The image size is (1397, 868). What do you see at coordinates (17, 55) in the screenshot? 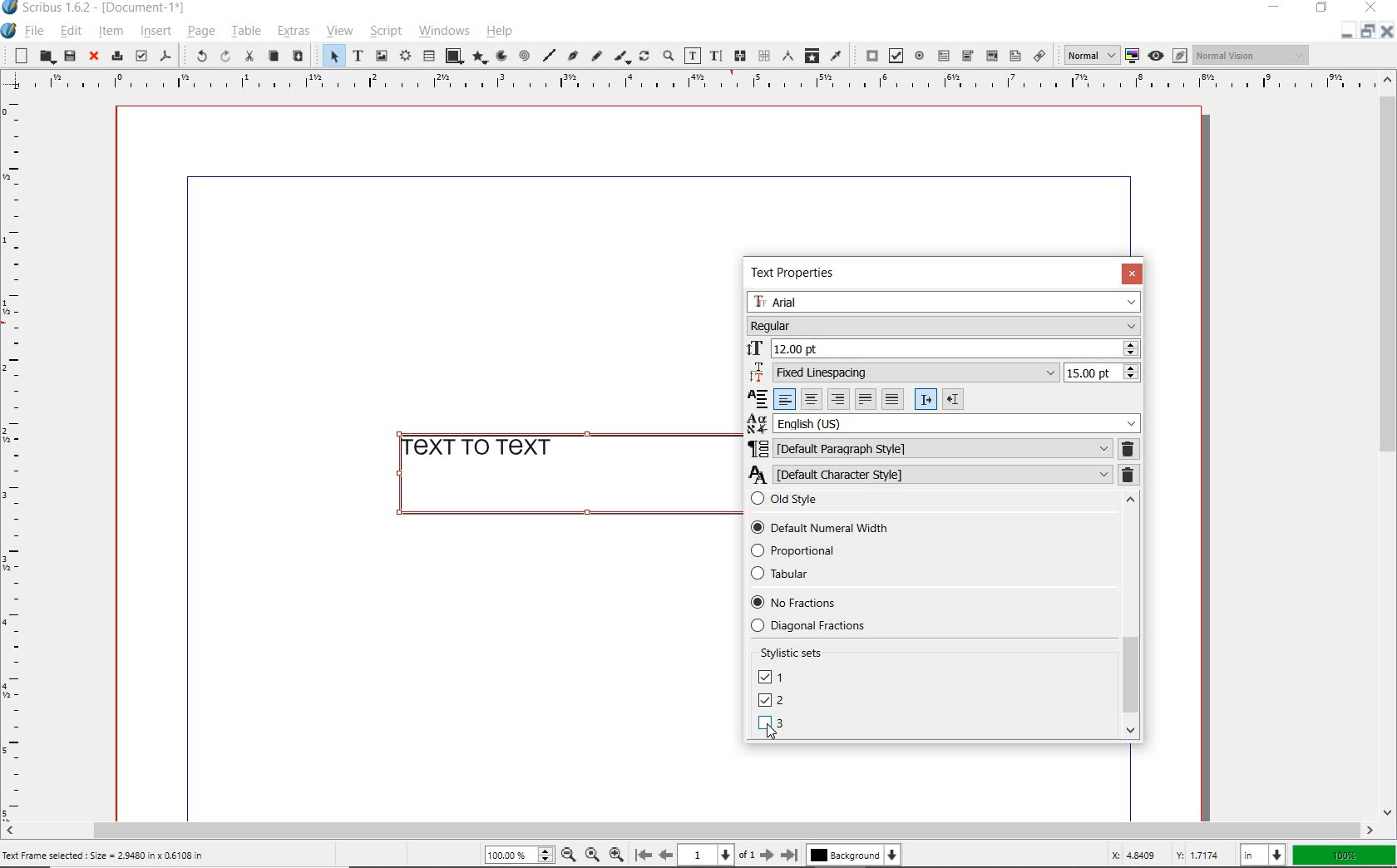
I see `new` at bounding box center [17, 55].